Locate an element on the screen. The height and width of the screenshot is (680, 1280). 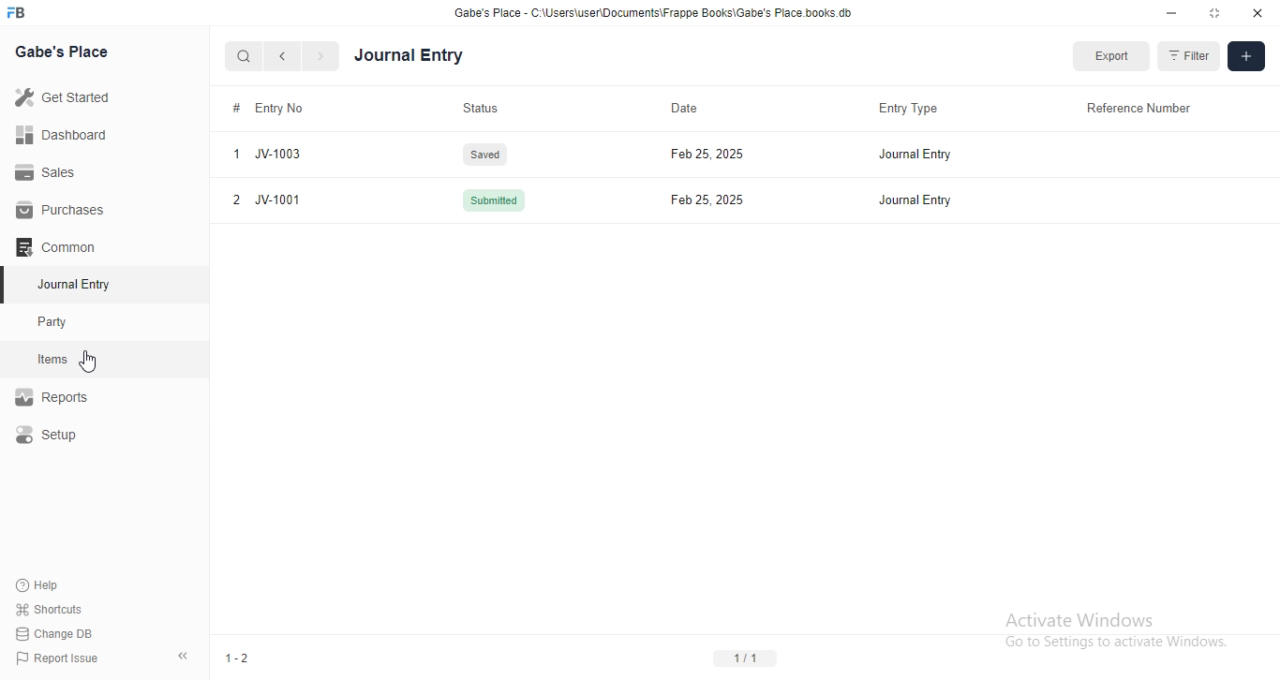
Purchases is located at coordinates (66, 210).